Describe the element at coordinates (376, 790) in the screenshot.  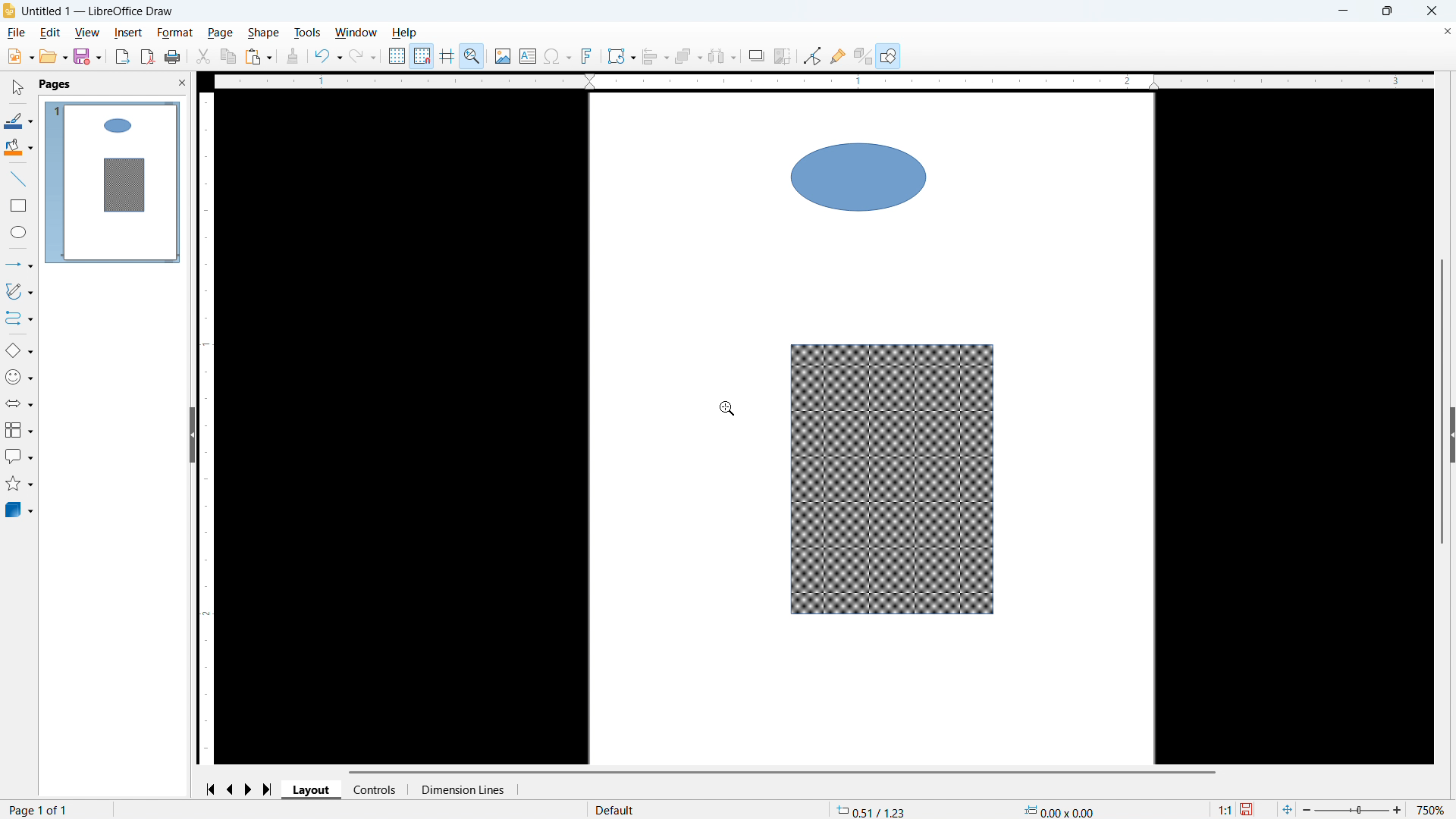
I see `Controls ` at that location.